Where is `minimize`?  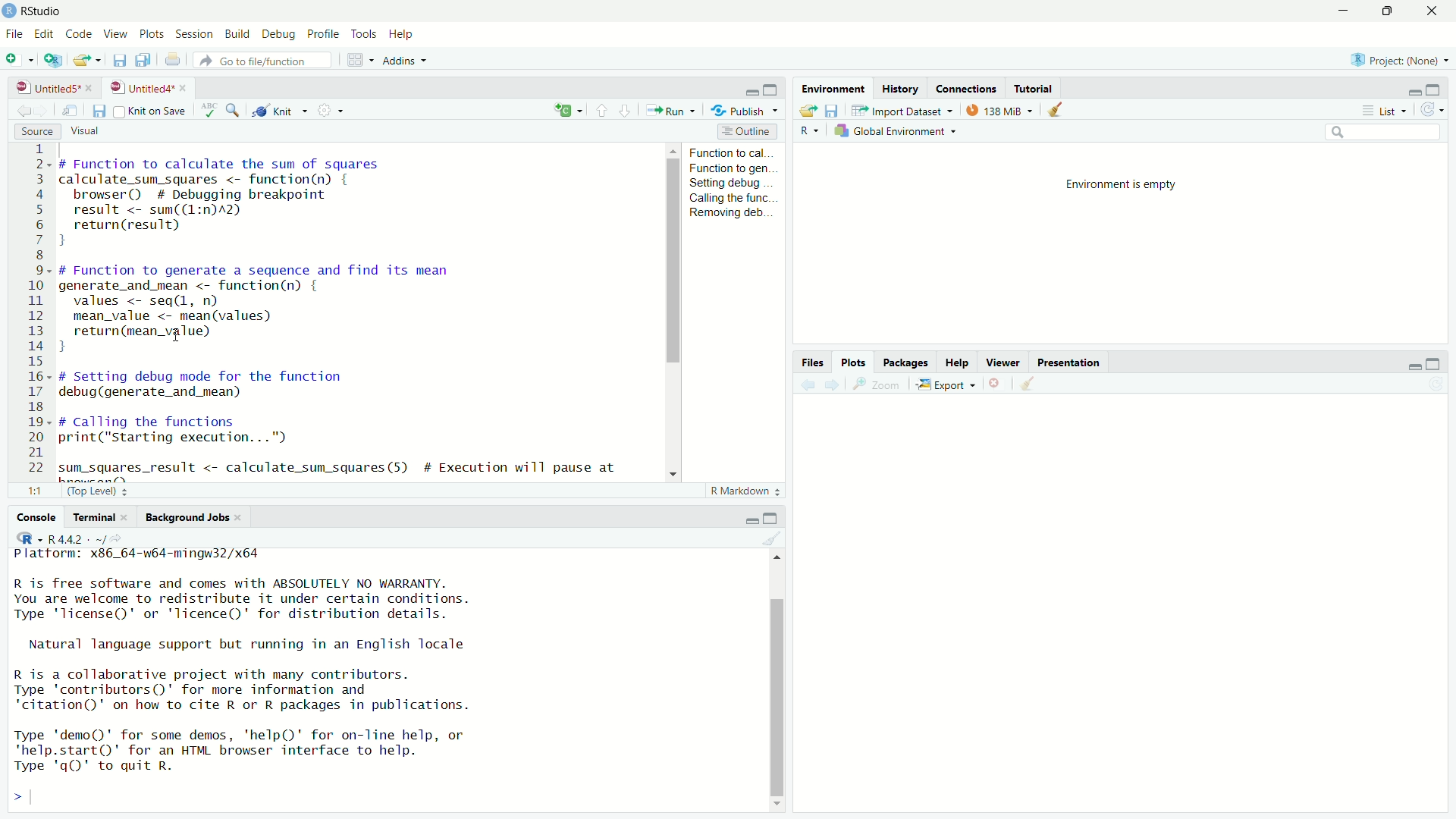
minimize is located at coordinates (1409, 90).